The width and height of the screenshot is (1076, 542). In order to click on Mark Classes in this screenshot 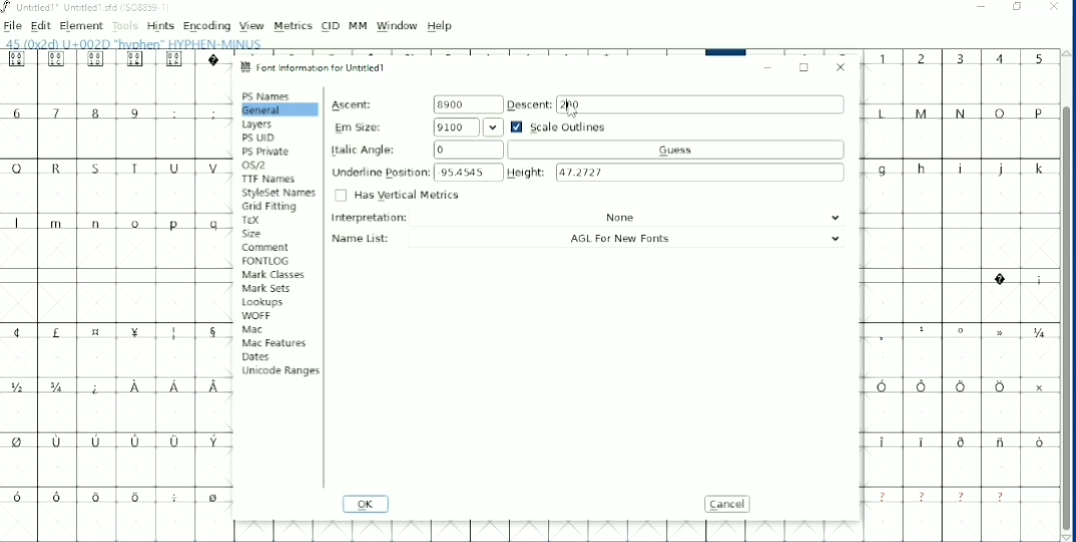, I will do `click(275, 274)`.